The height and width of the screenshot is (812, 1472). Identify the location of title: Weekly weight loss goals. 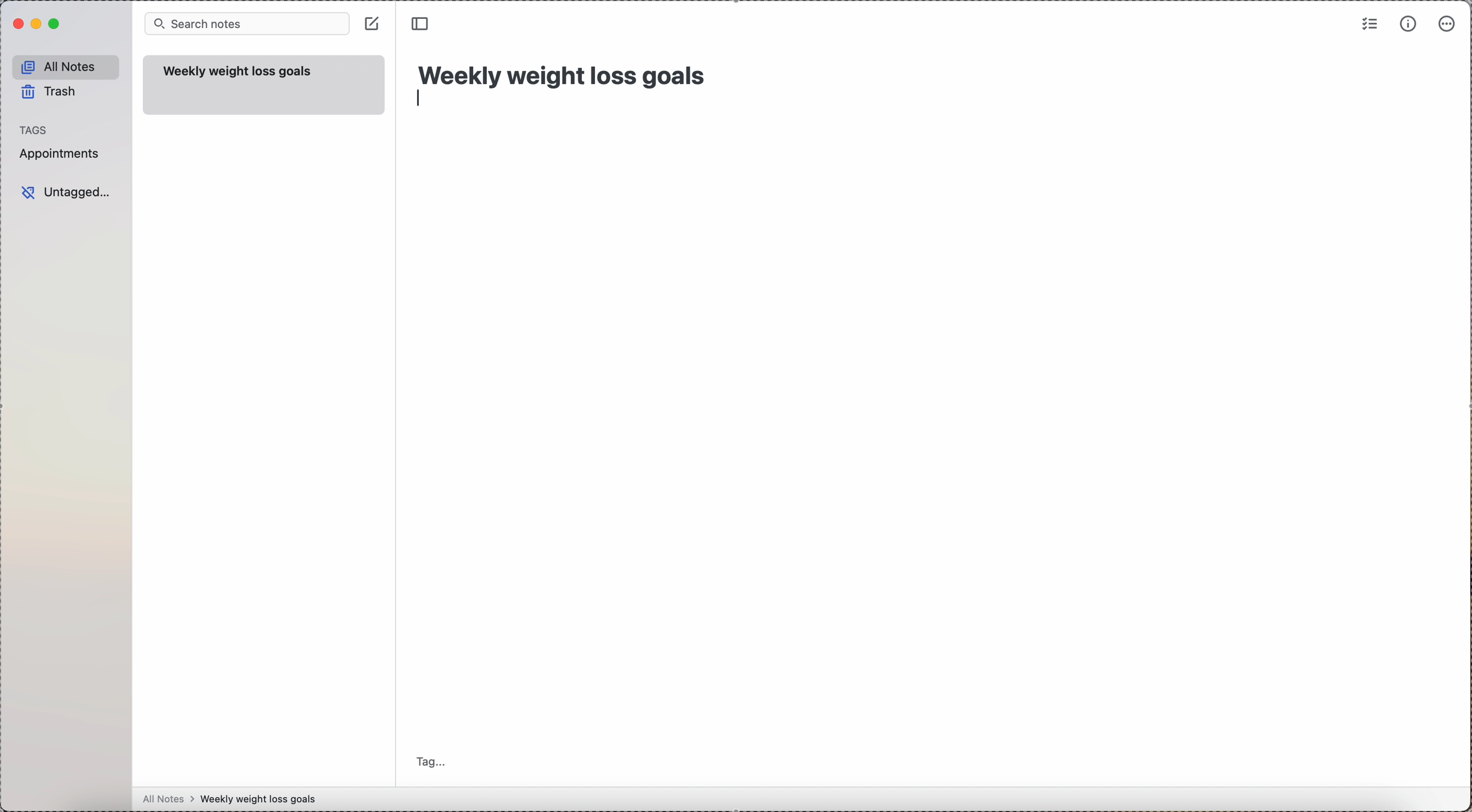
(565, 73).